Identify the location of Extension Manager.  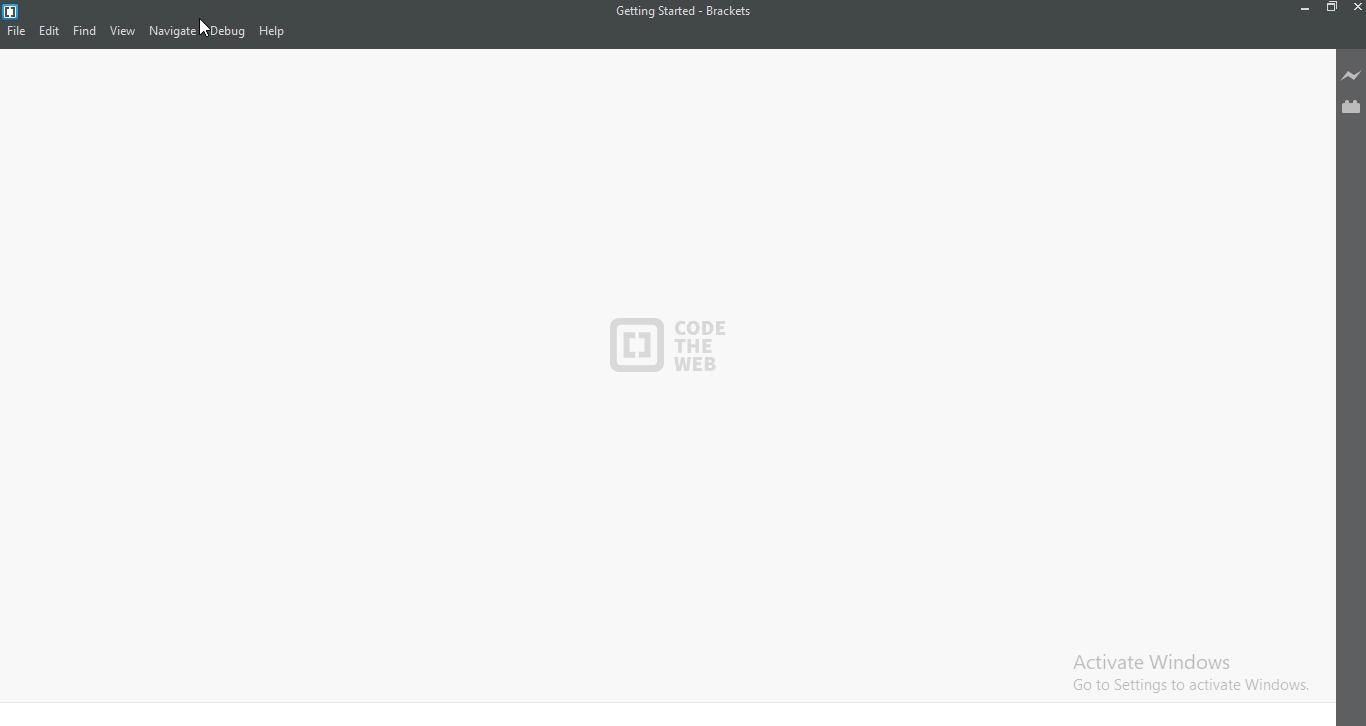
(1351, 104).